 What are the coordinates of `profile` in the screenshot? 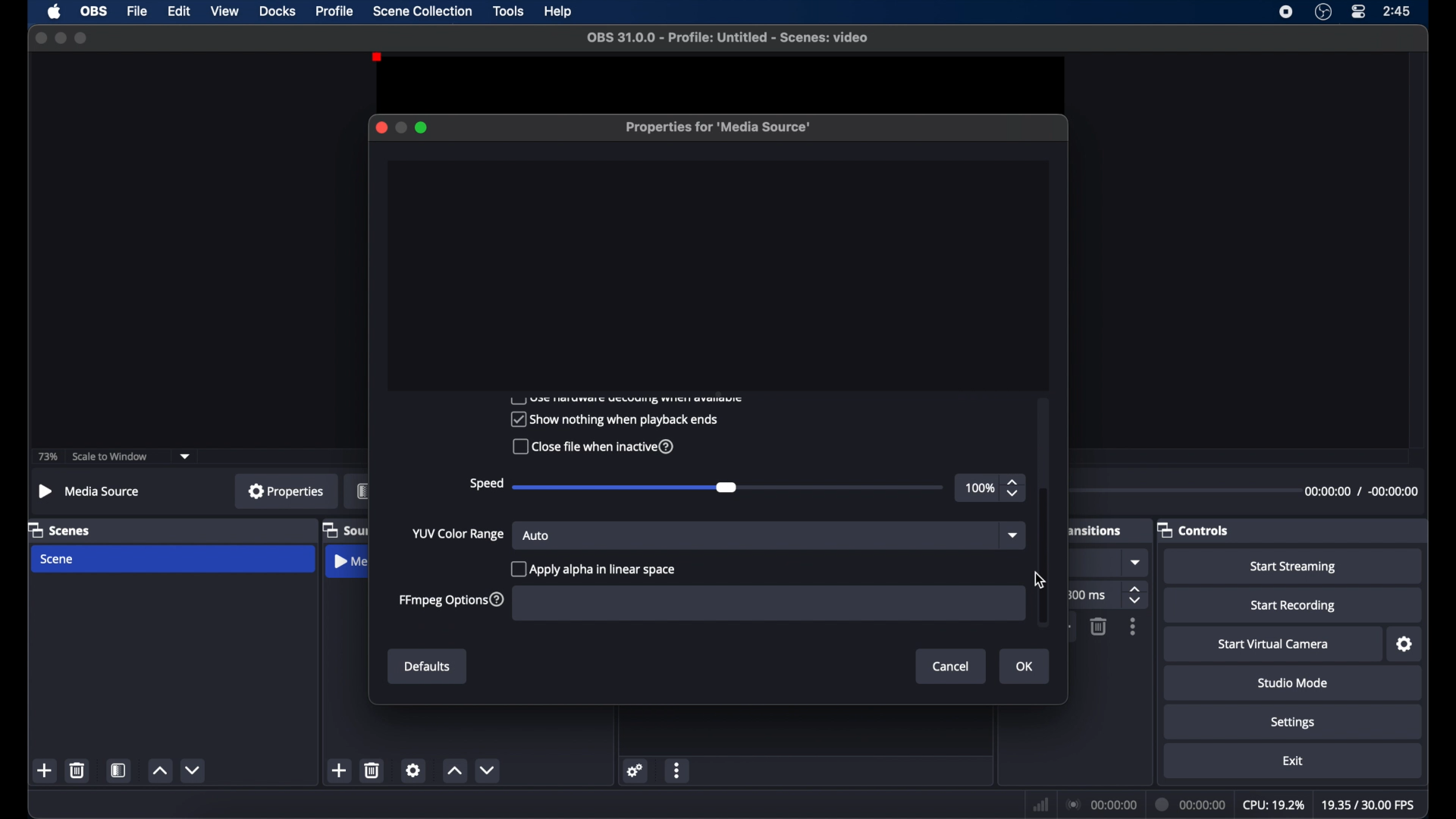 It's located at (336, 11).